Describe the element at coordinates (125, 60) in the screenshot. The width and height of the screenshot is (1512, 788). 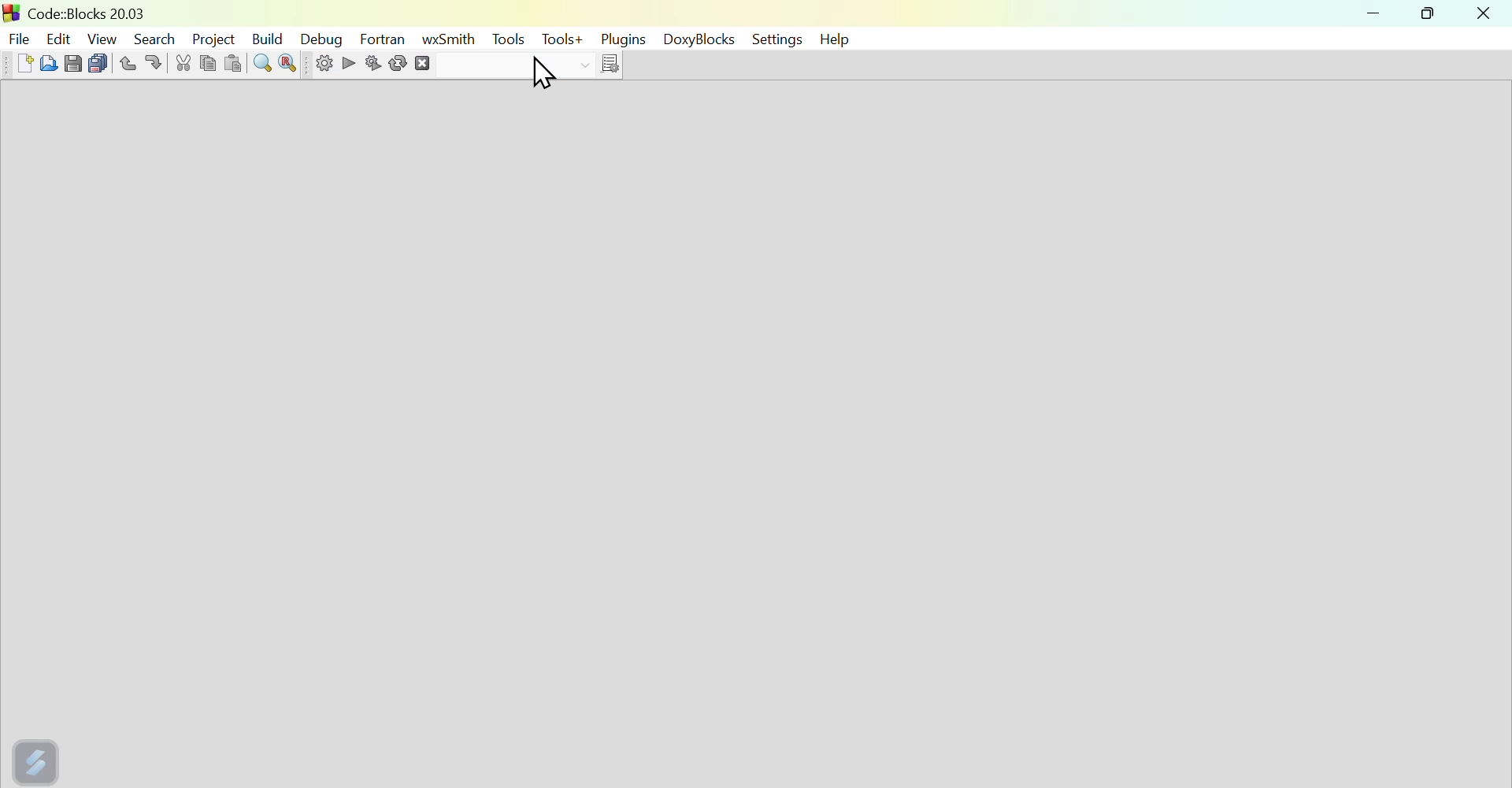
I see `Undo` at that location.